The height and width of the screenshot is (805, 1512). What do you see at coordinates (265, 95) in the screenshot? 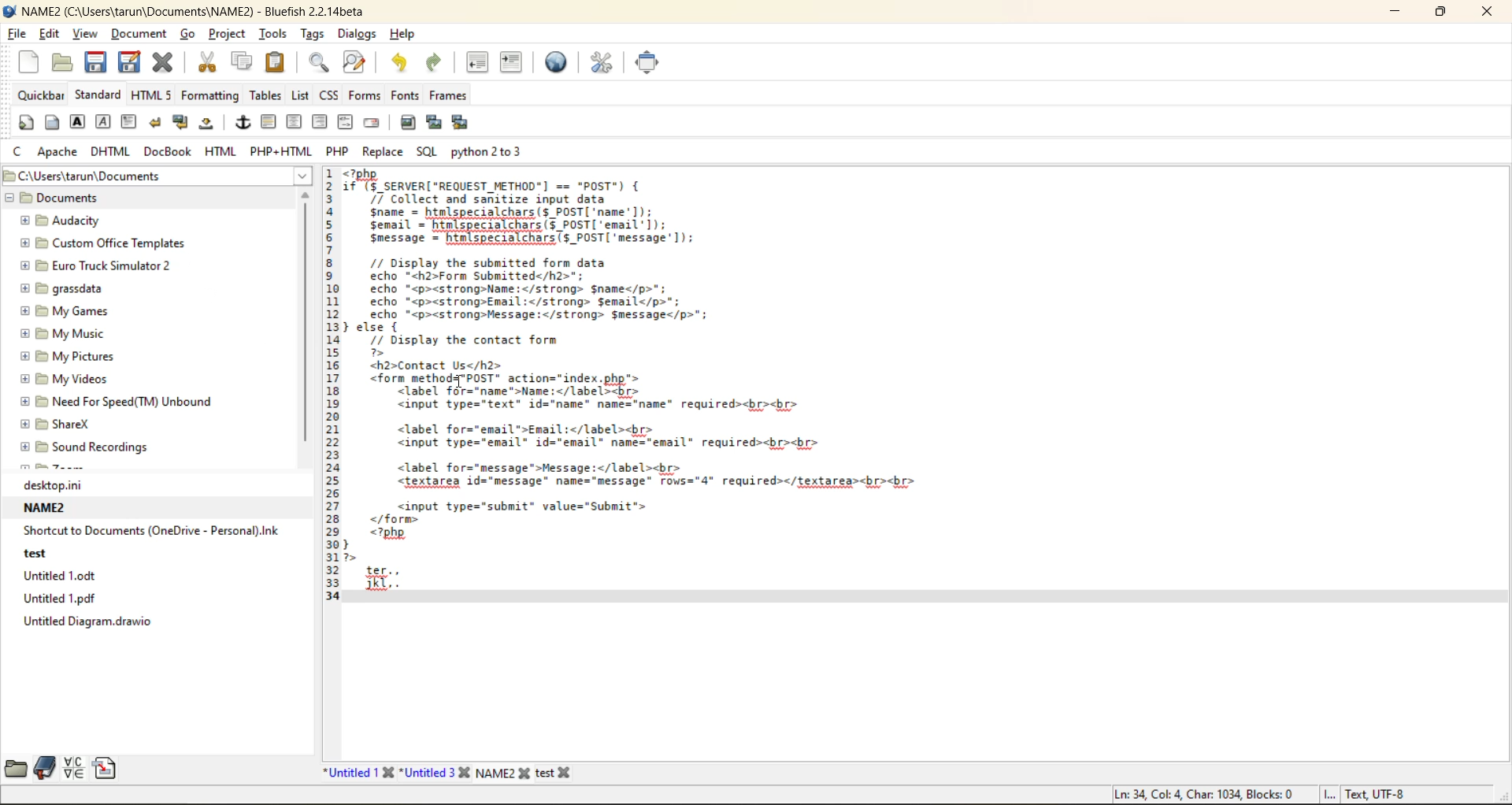
I see `tables` at bounding box center [265, 95].